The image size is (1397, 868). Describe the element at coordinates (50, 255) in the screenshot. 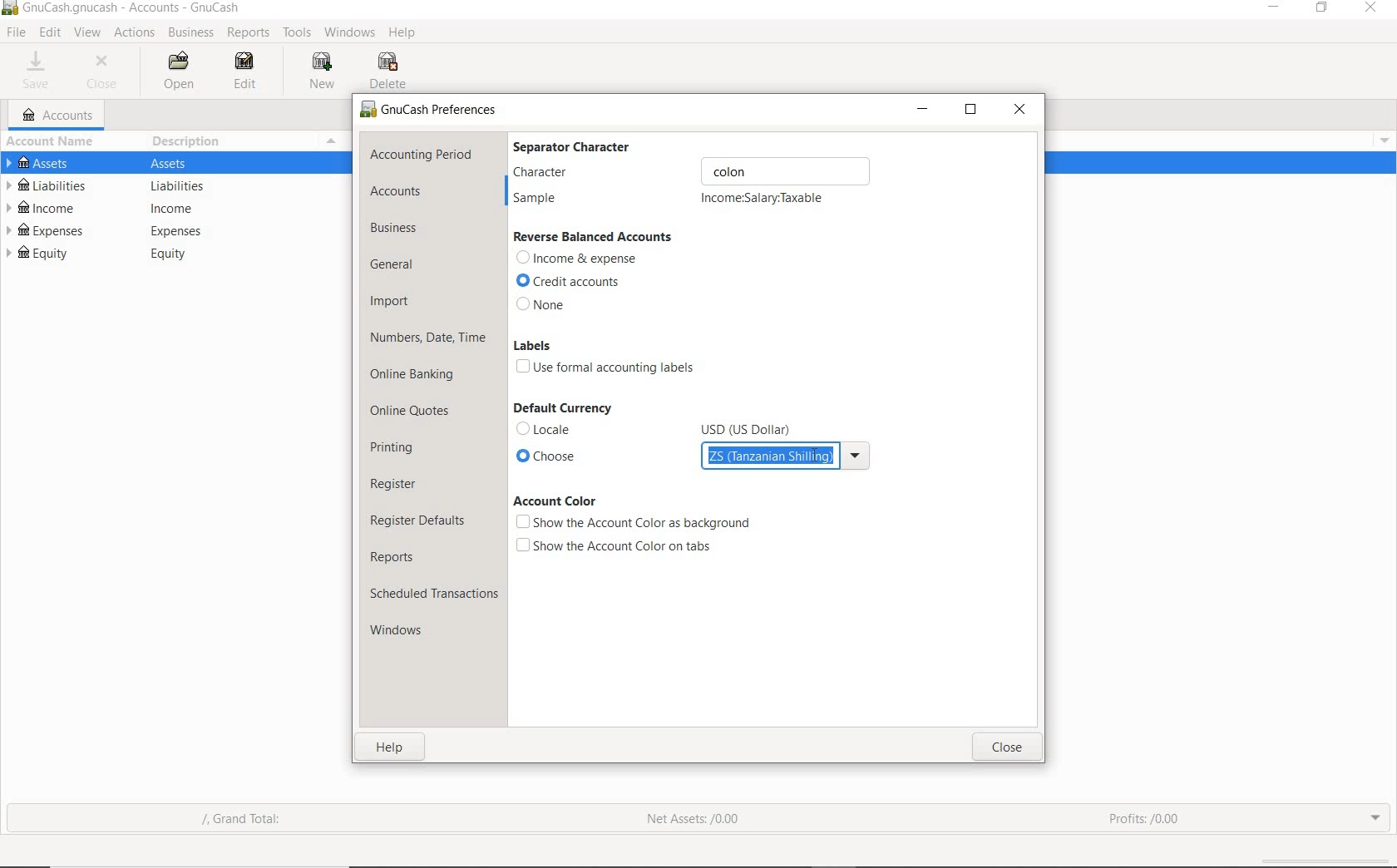

I see `EQUITY` at that location.